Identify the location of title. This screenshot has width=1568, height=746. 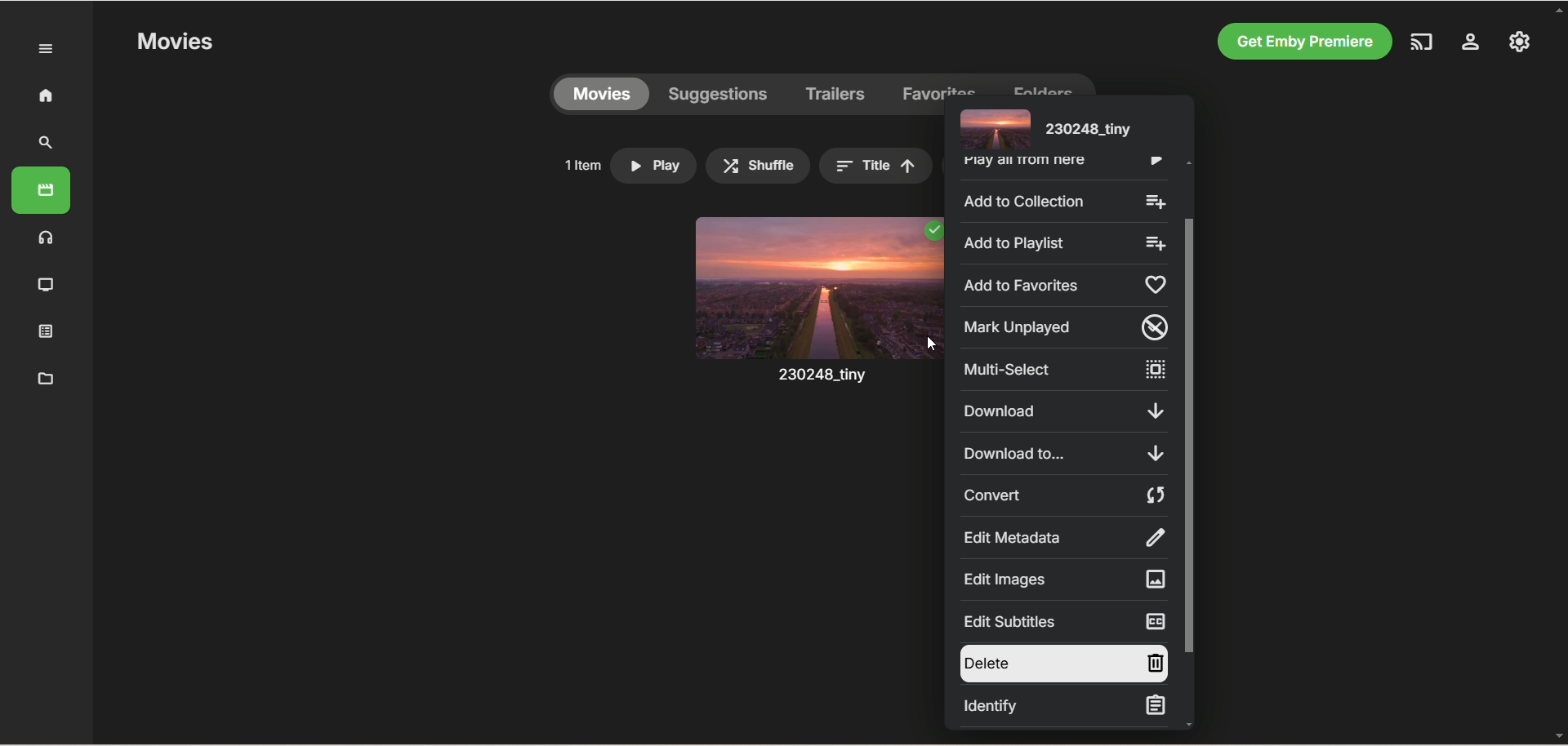
(875, 166).